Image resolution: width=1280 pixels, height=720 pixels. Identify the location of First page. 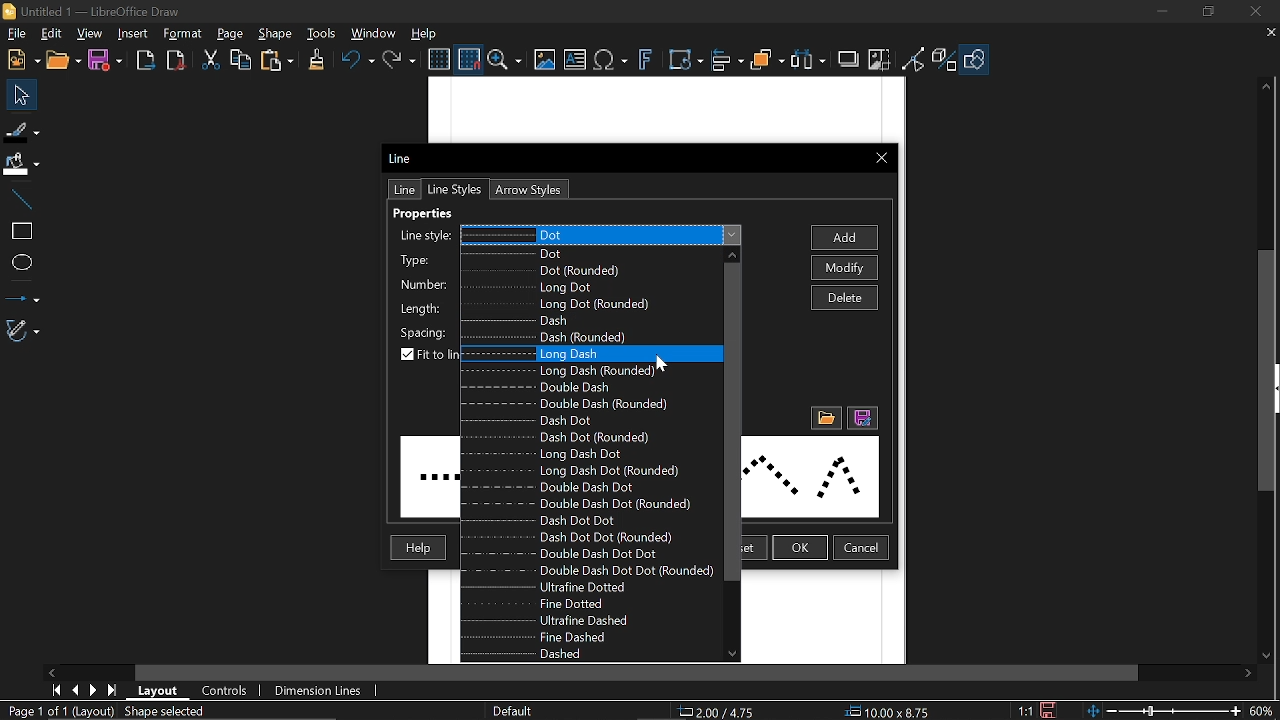
(57, 690).